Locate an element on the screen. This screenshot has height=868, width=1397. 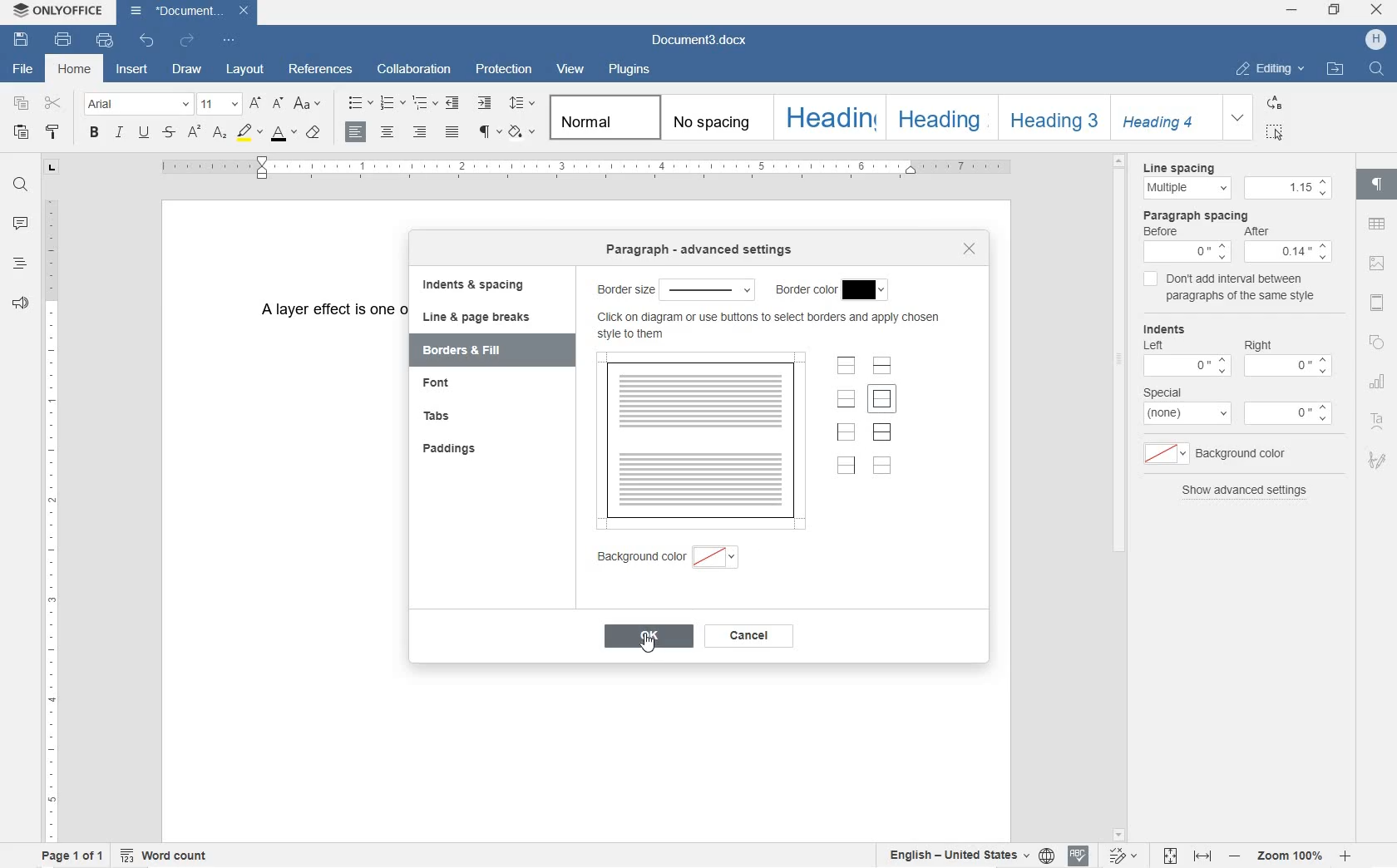
PASTE is located at coordinates (21, 132).